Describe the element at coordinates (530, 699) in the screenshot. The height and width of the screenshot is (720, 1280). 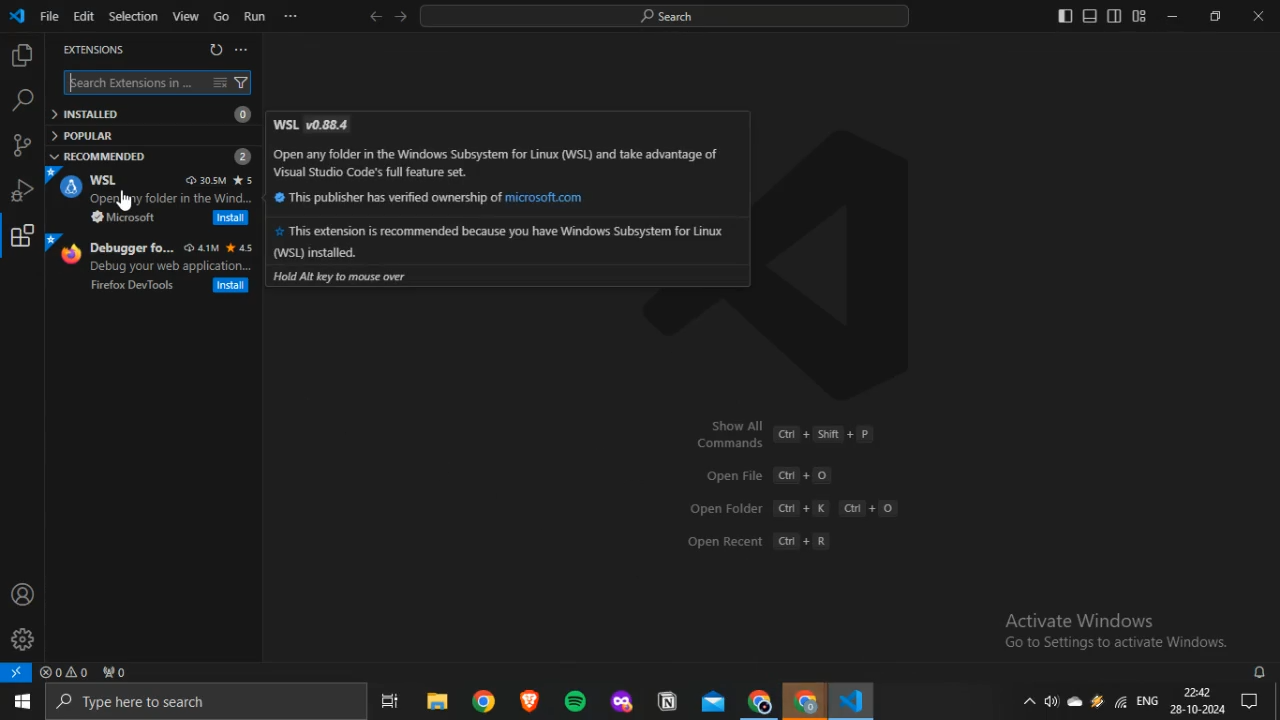
I see `brave` at that location.